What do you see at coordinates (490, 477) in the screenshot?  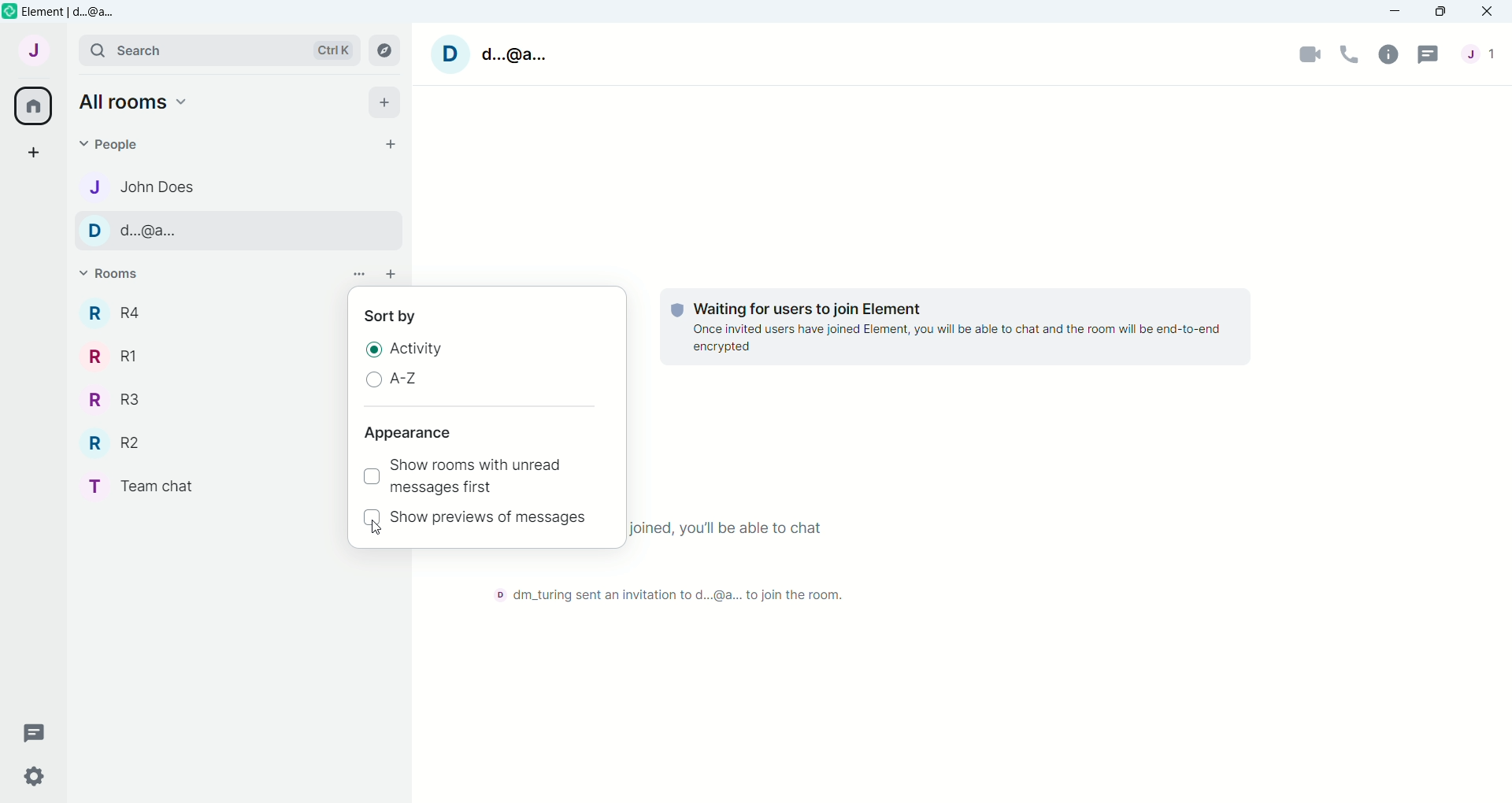 I see `Show rooms with unread messages first` at bounding box center [490, 477].